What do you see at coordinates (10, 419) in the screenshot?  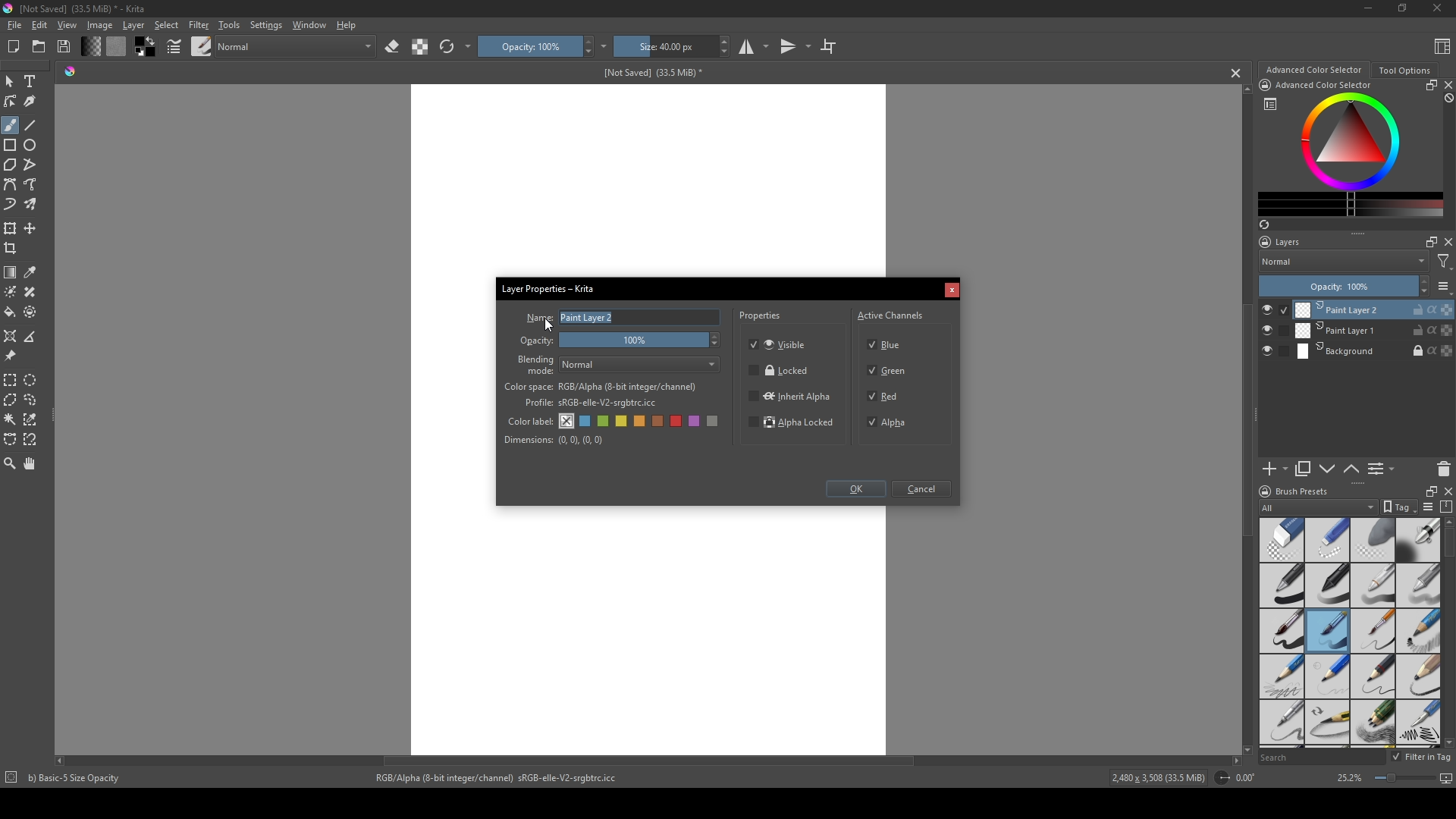 I see `magic wand` at bounding box center [10, 419].